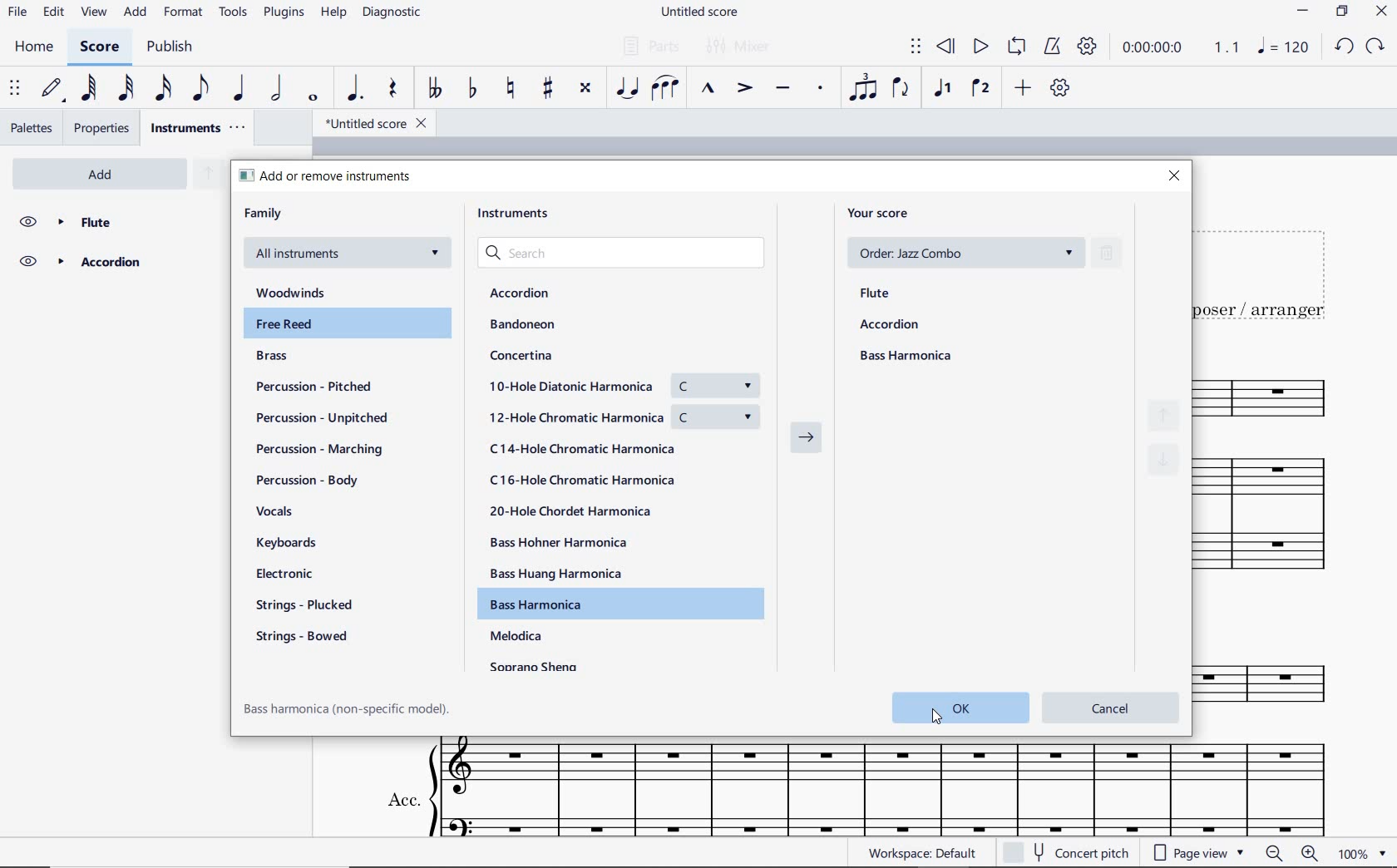 This screenshot has height=868, width=1397. Describe the element at coordinates (304, 638) in the screenshot. I see `strings - bowel` at that location.